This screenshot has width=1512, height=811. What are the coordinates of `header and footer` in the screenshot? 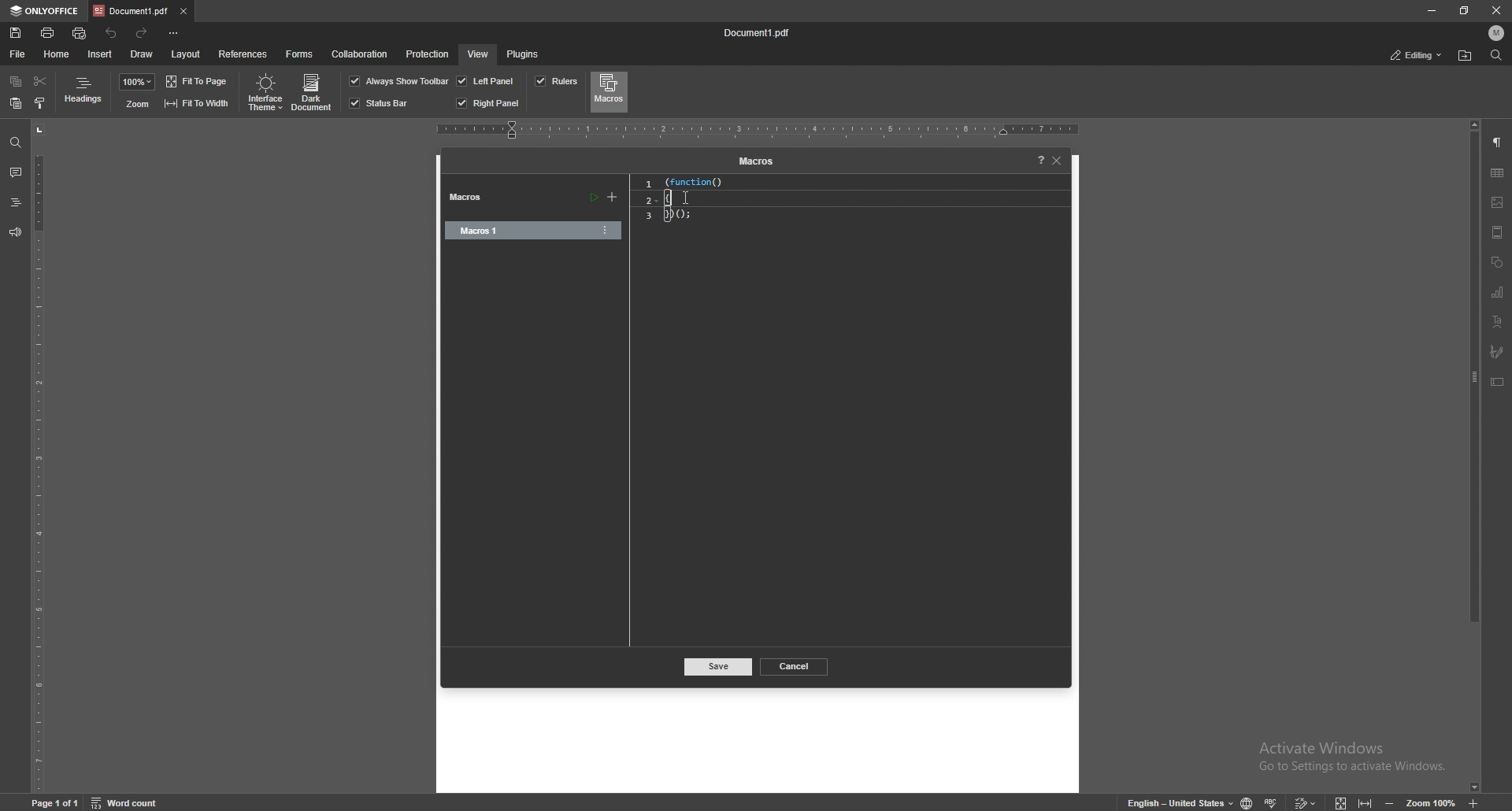 It's located at (1497, 231).